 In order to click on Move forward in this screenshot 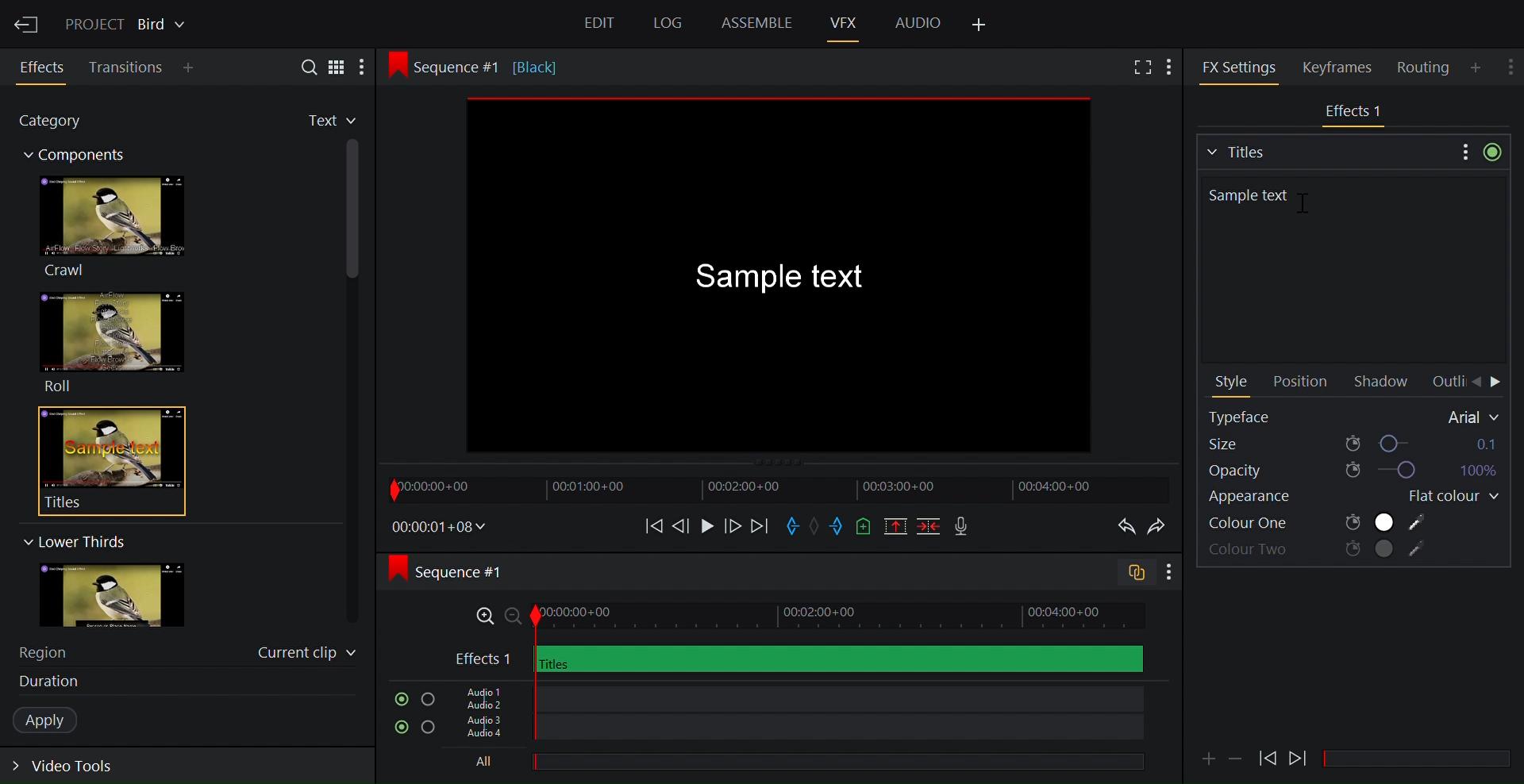, I will do `click(759, 527)`.